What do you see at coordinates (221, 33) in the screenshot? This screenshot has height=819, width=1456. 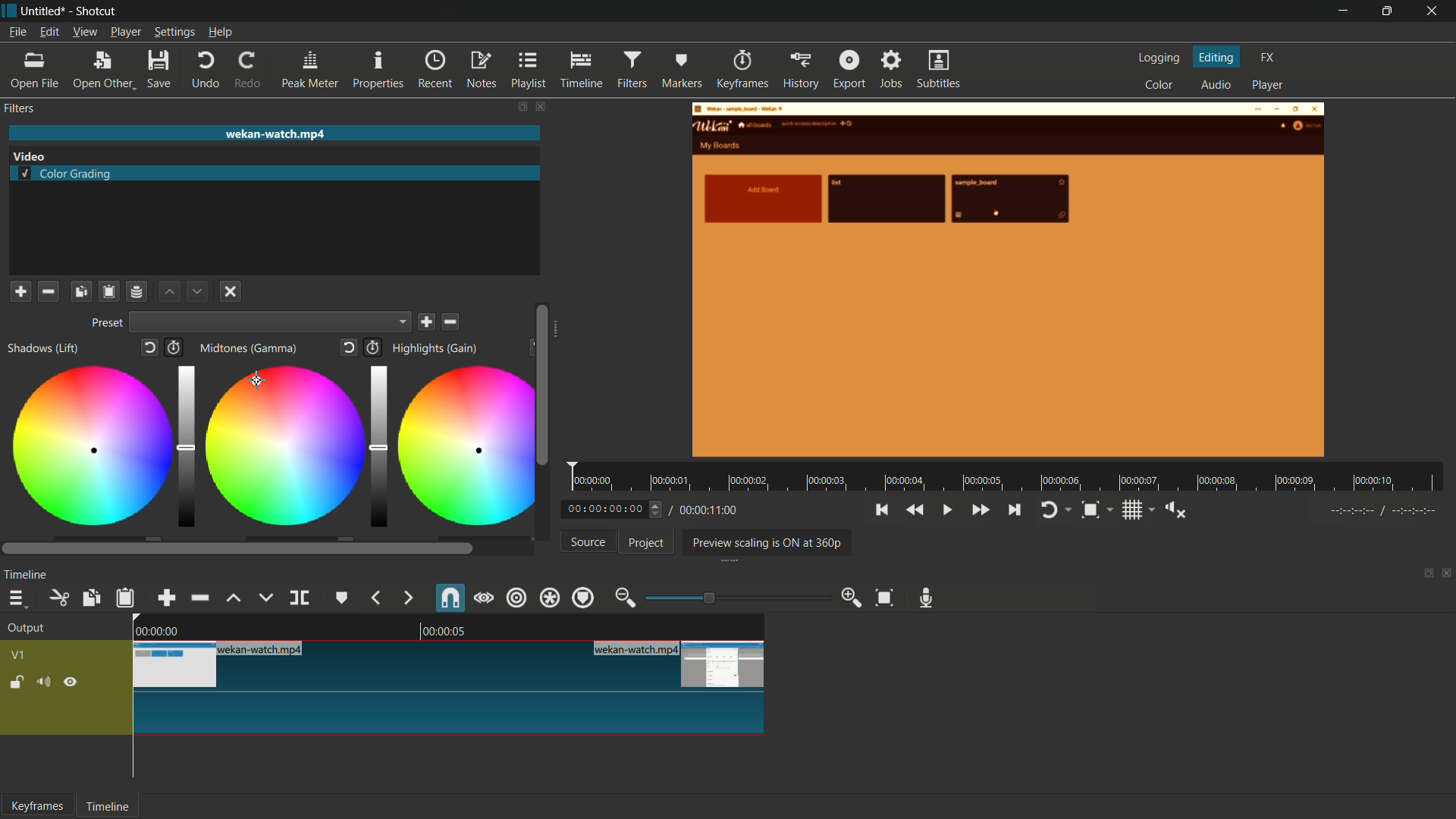 I see `help menu` at bounding box center [221, 33].